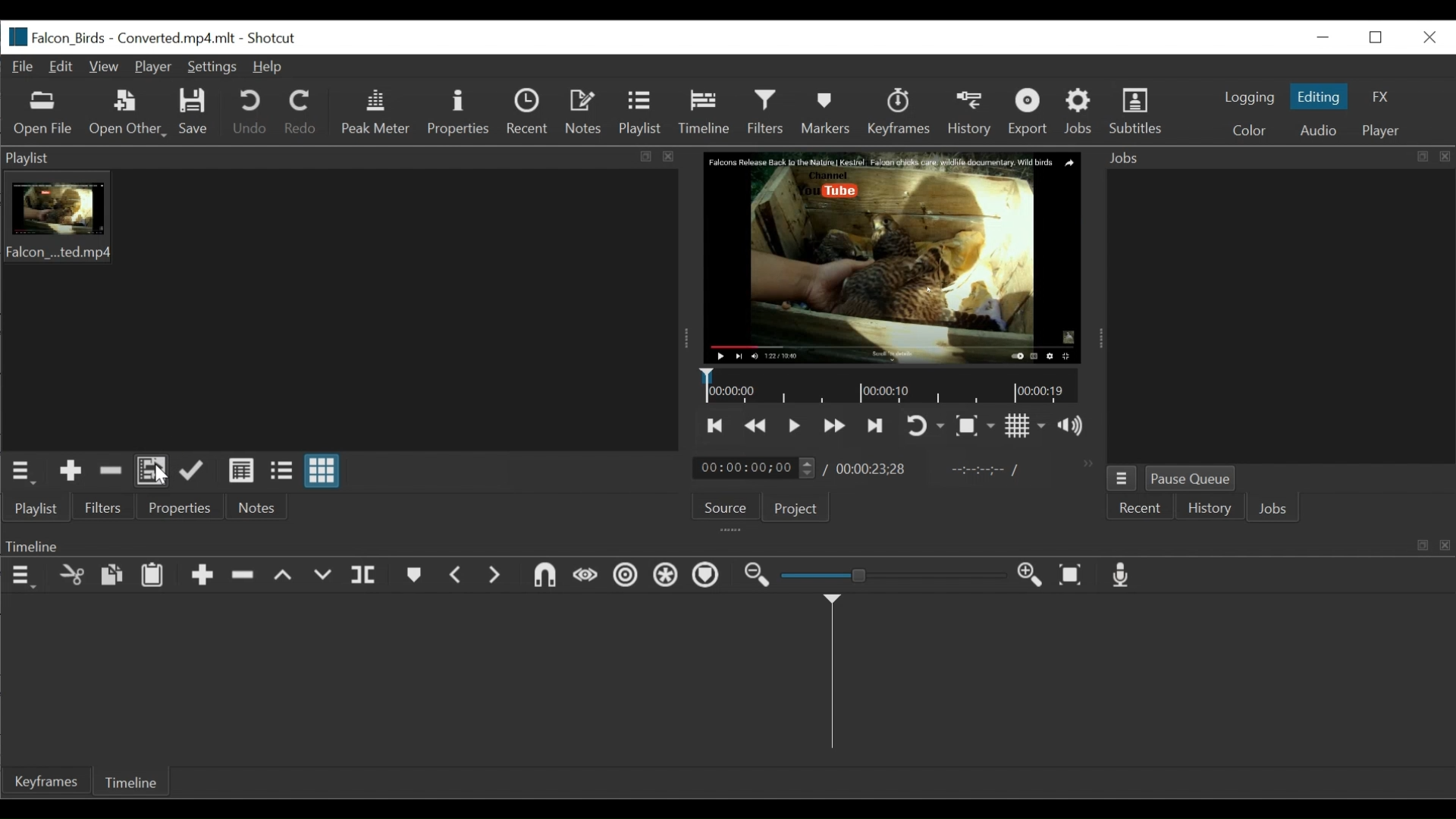 The height and width of the screenshot is (819, 1456). I want to click on Toggle grid display on the player, so click(1027, 425).